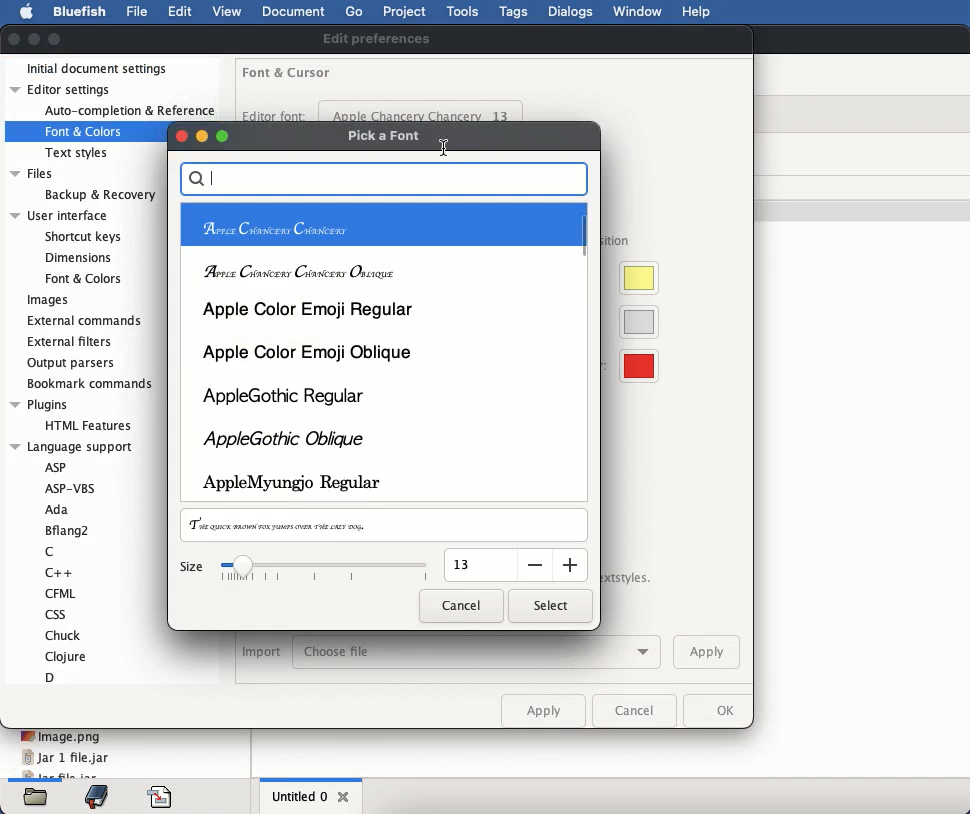  Describe the element at coordinates (407, 12) in the screenshot. I see `project` at that location.